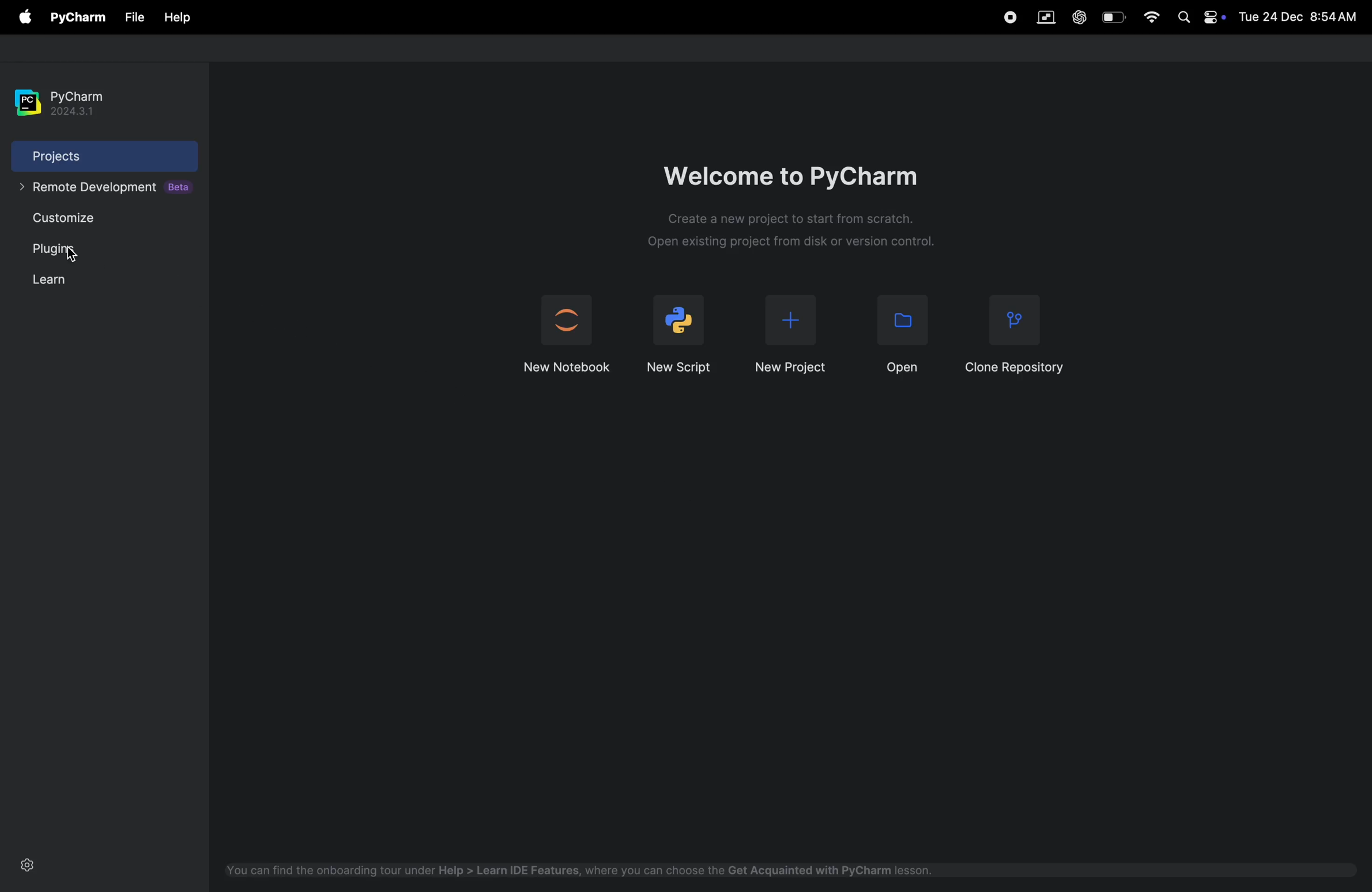  What do you see at coordinates (1299, 18) in the screenshot?
I see `date and time` at bounding box center [1299, 18].